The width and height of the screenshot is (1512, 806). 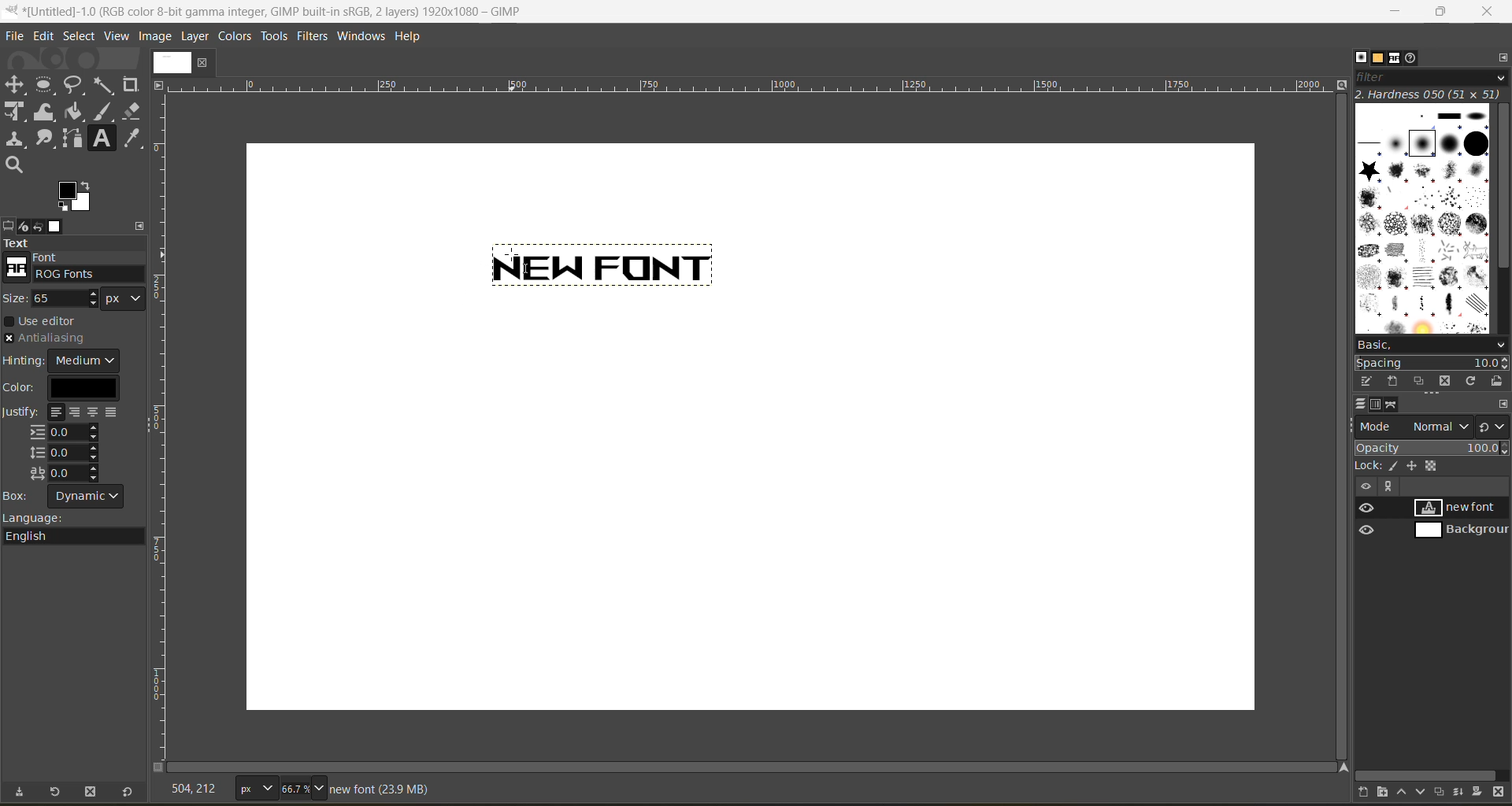 What do you see at coordinates (1462, 507) in the screenshot?
I see `new font` at bounding box center [1462, 507].